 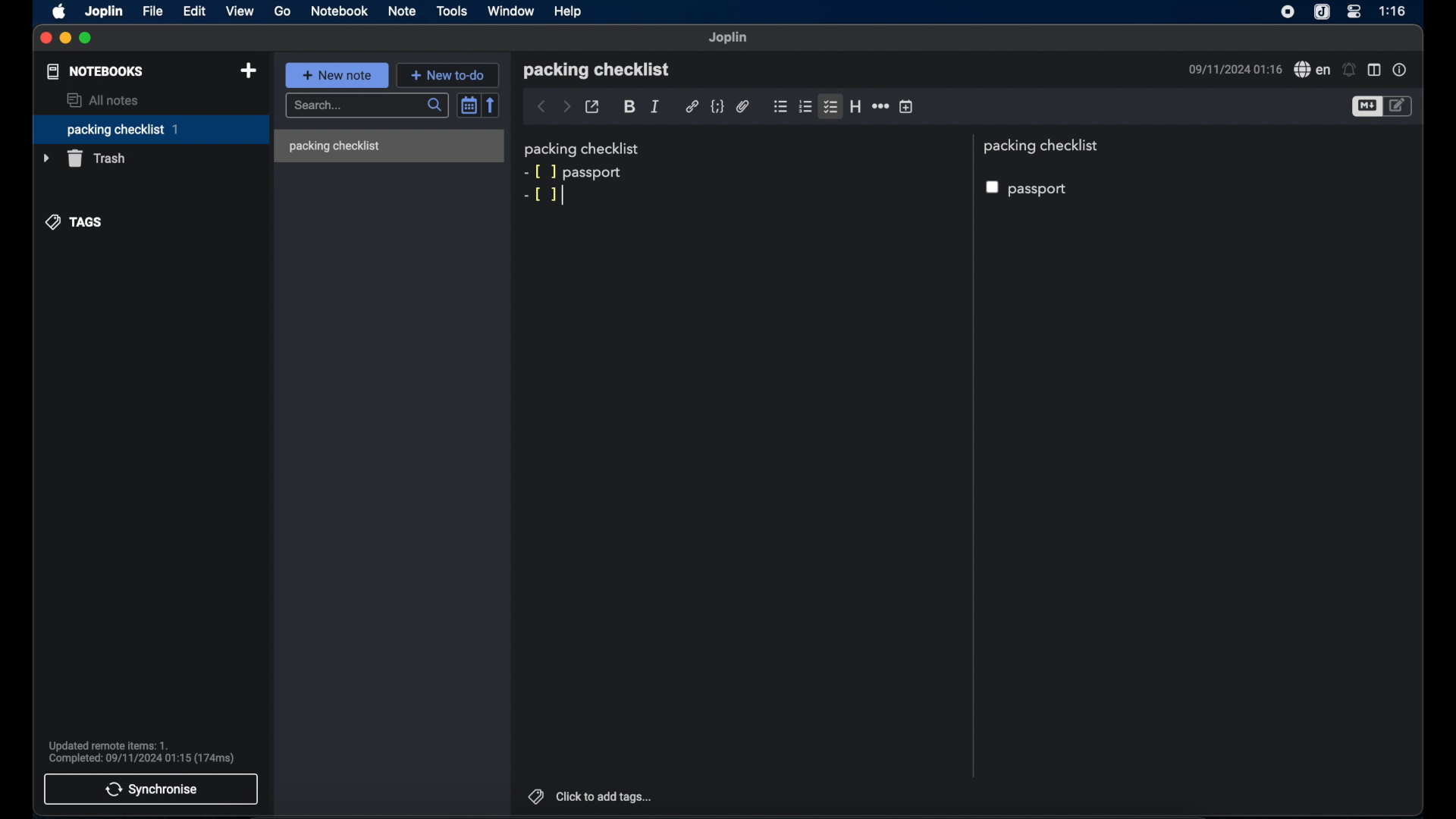 I want to click on markdown syntax, so click(x=539, y=171).